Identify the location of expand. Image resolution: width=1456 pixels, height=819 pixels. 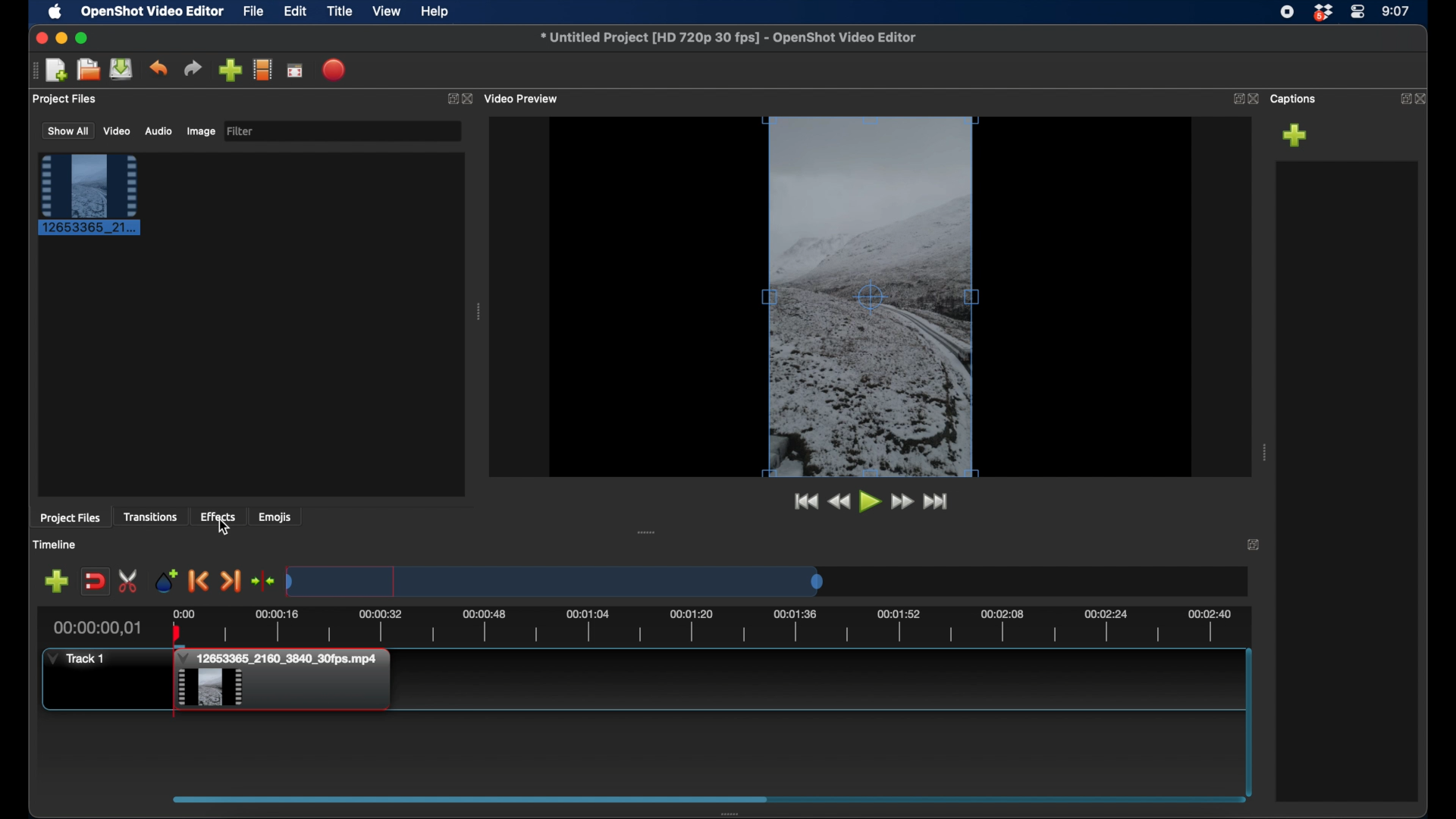
(450, 98).